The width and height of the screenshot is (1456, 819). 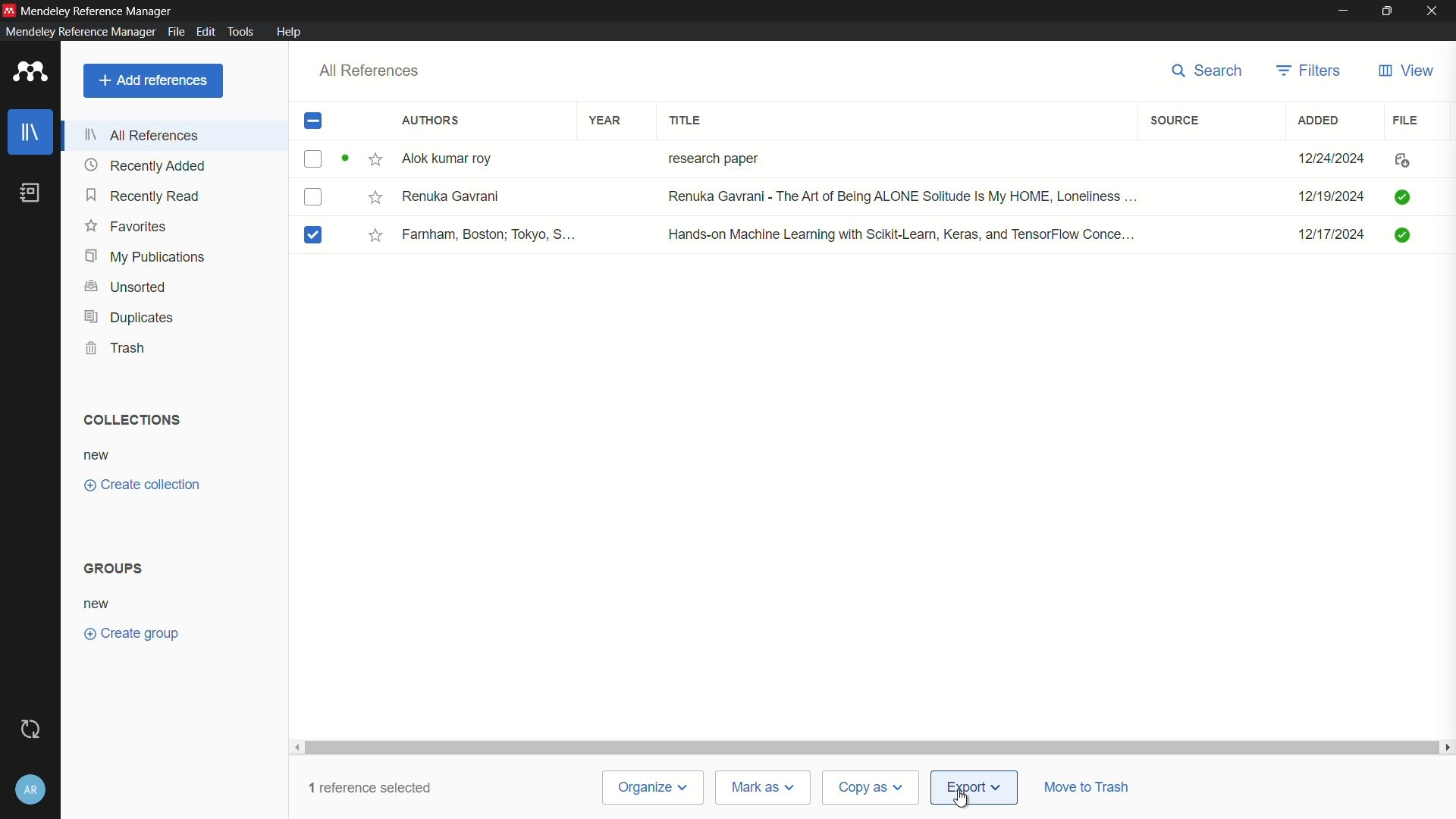 I want to click on tools menu, so click(x=242, y=32).